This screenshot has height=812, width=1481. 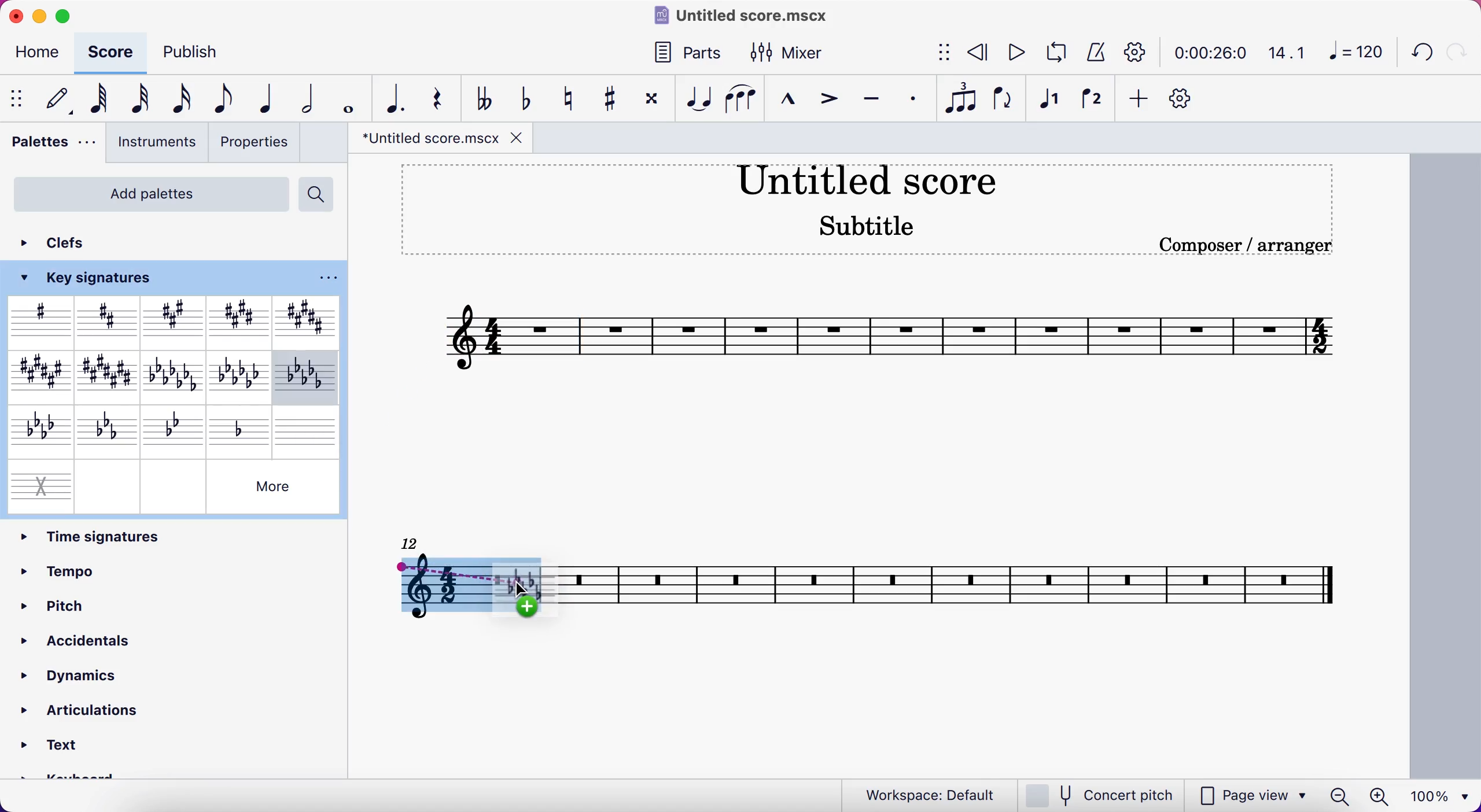 I want to click on home, so click(x=38, y=53).